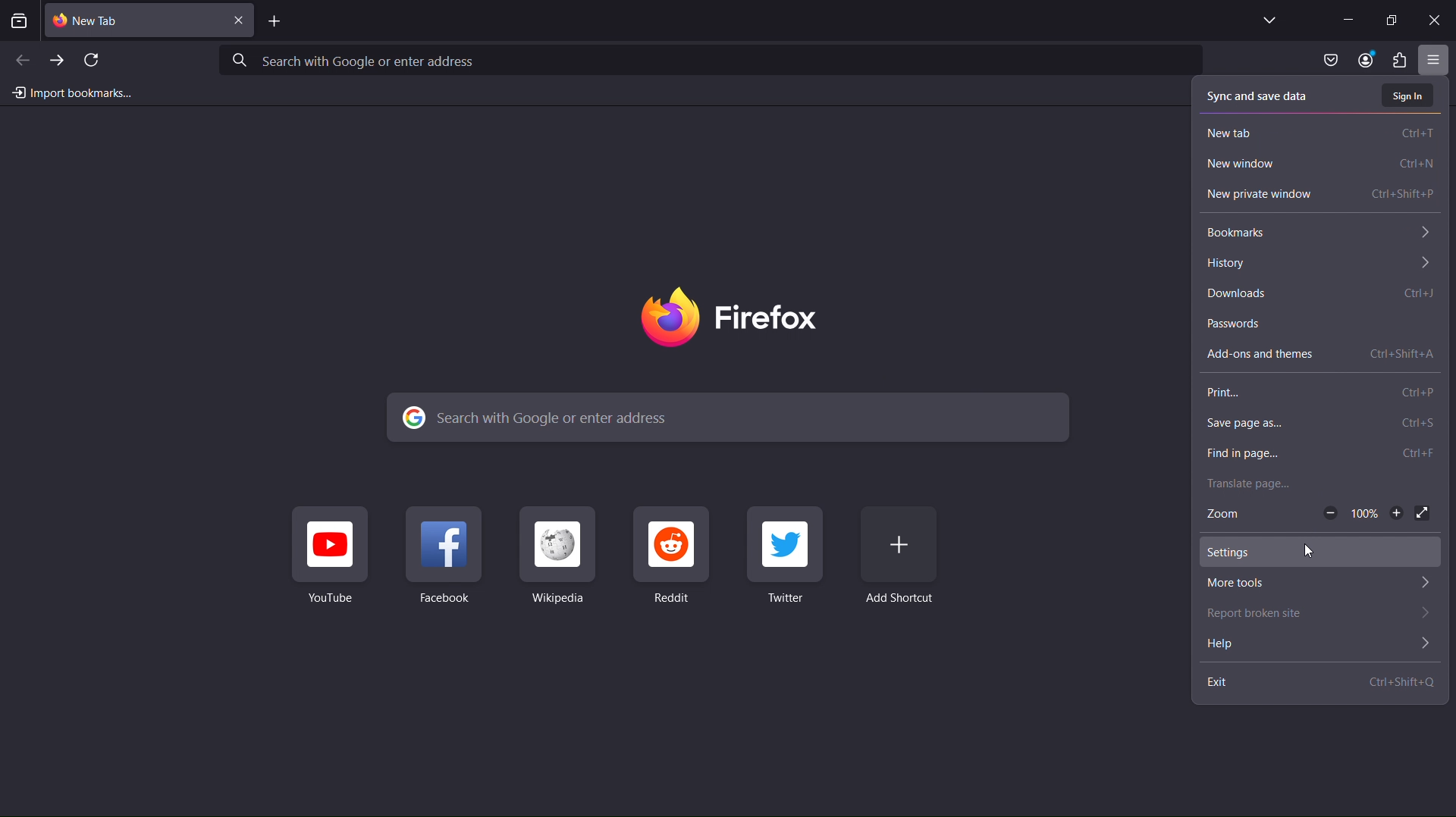  Describe the element at coordinates (673, 556) in the screenshot. I see `Reddit Shortcut` at that location.